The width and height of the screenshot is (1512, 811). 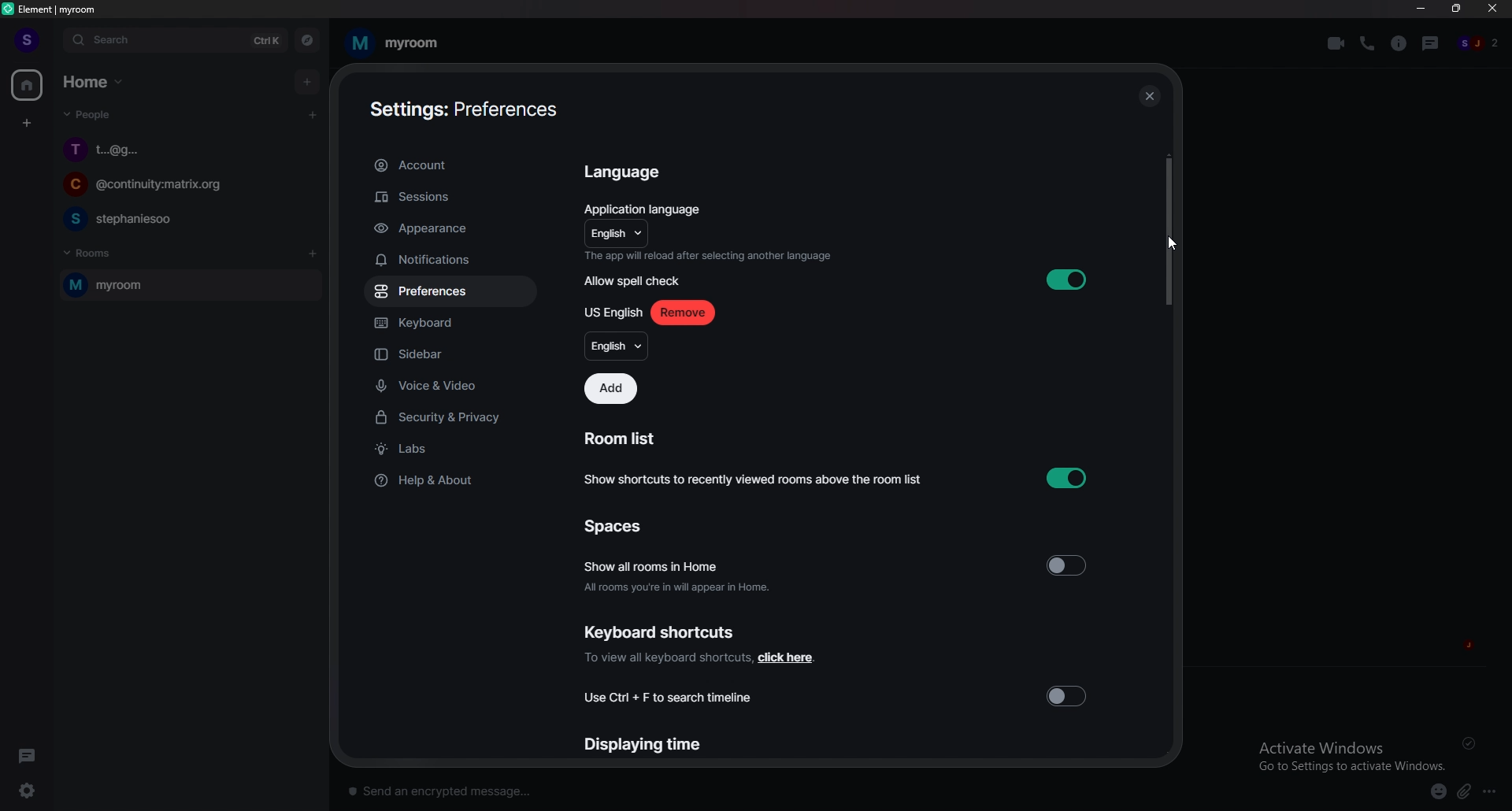 I want to click on language, so click(x=614, y=235).